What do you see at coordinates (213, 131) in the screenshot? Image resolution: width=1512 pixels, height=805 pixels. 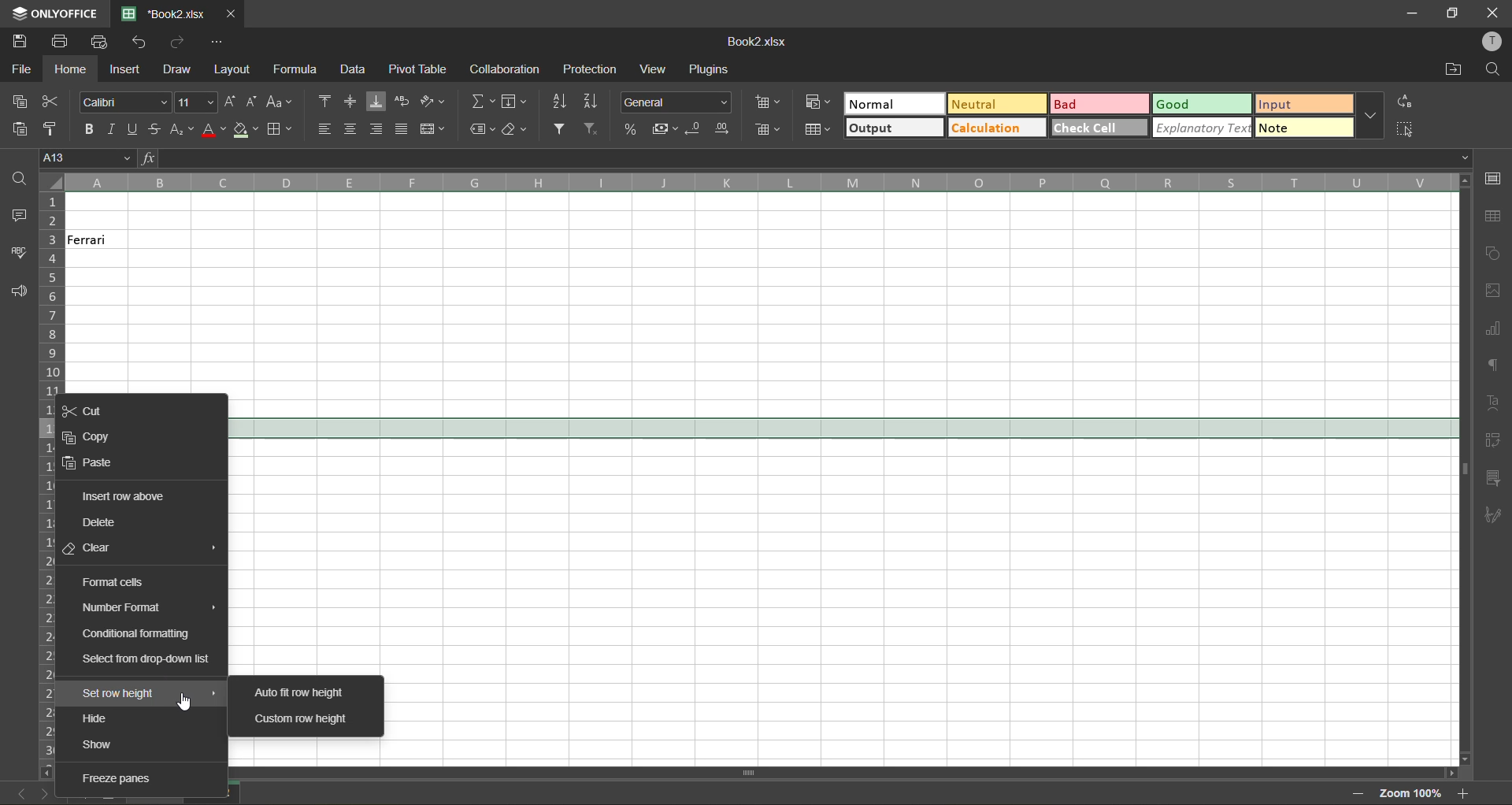 I see `font color` at bounding box center [213, 131].